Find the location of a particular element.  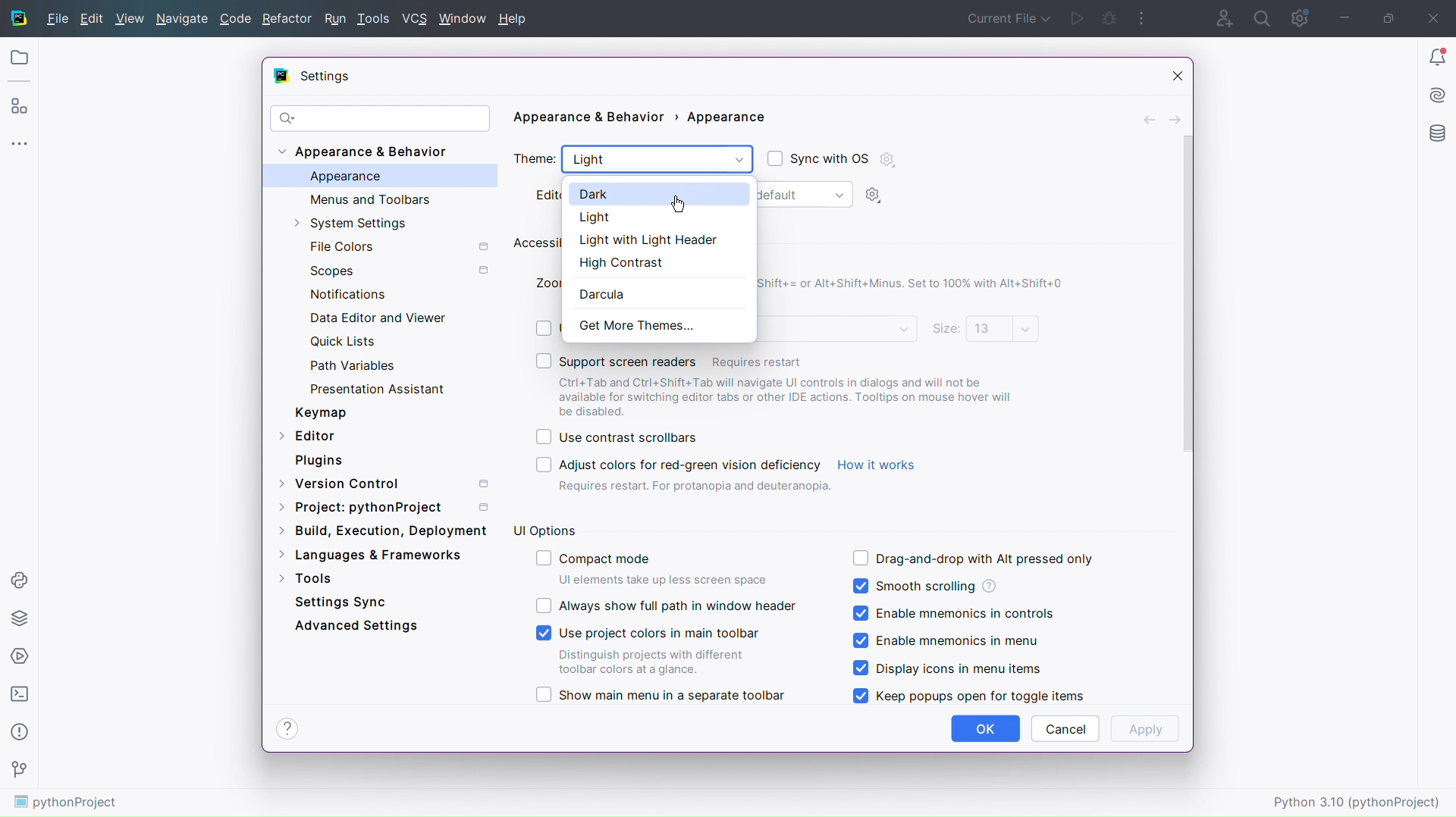

Menu and Toolbars is located at coordinates (368, 199).